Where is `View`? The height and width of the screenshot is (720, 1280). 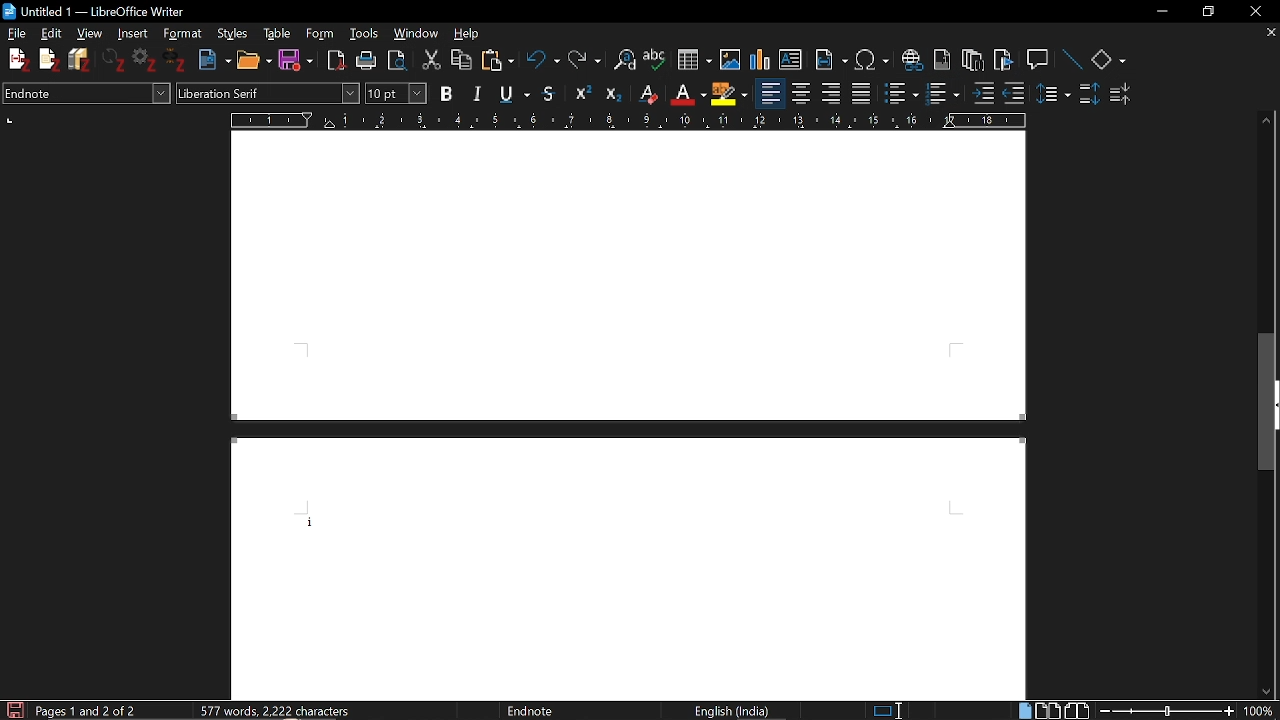
View is located at coordinates (91, 34).